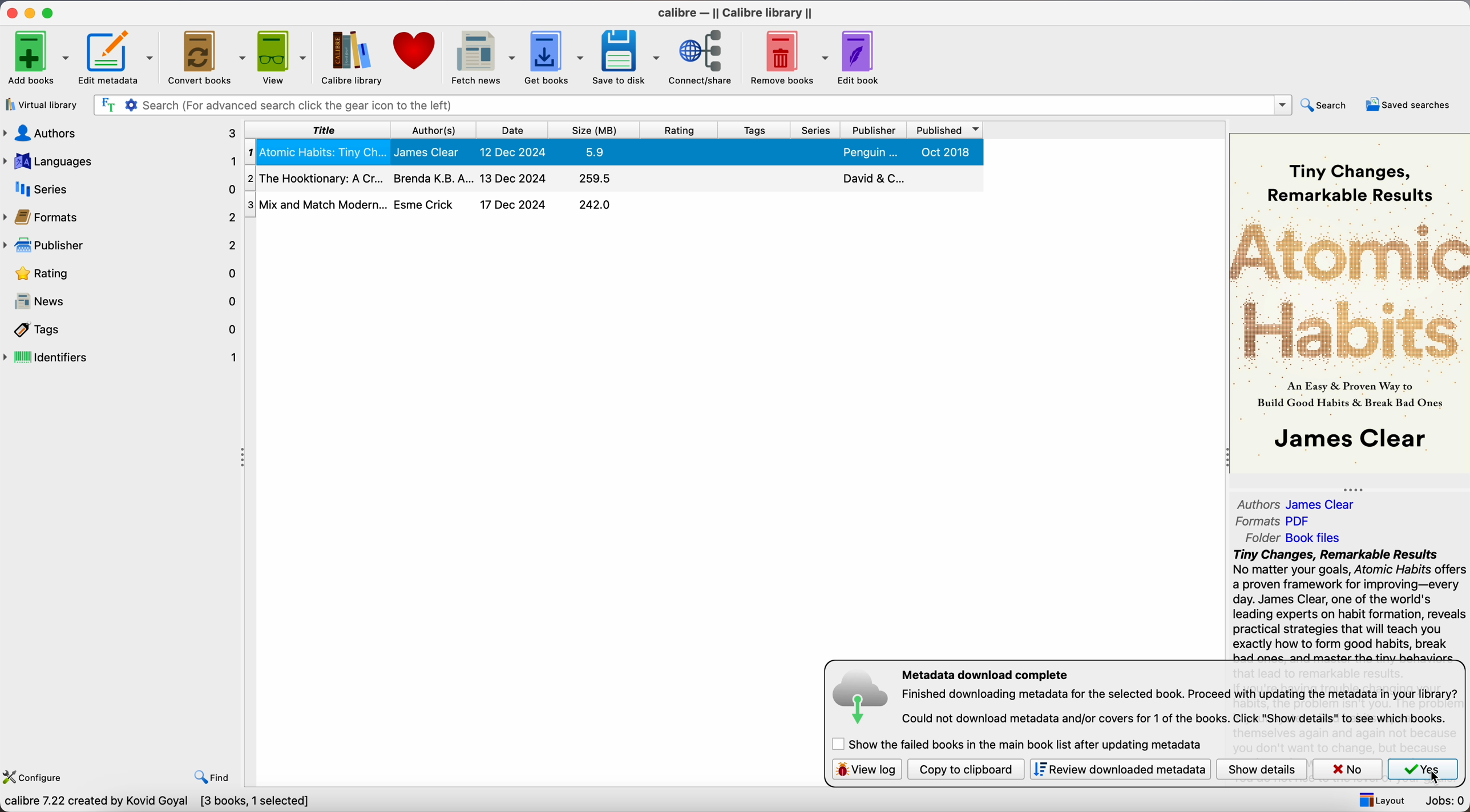  I want to click on Folder Book files, so click(1297, 538).